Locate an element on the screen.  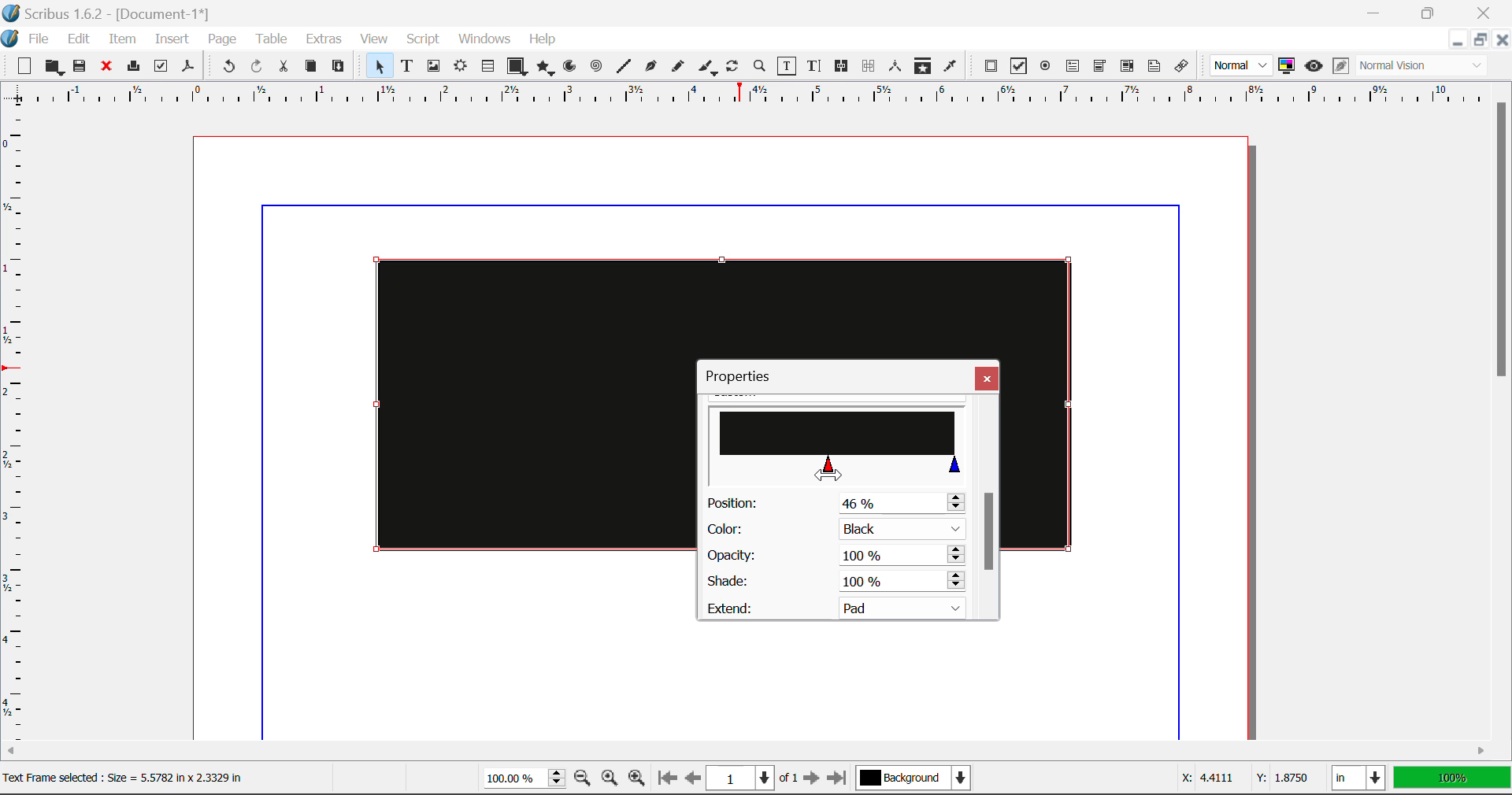
Last Page is located at coordinates (840, 781).